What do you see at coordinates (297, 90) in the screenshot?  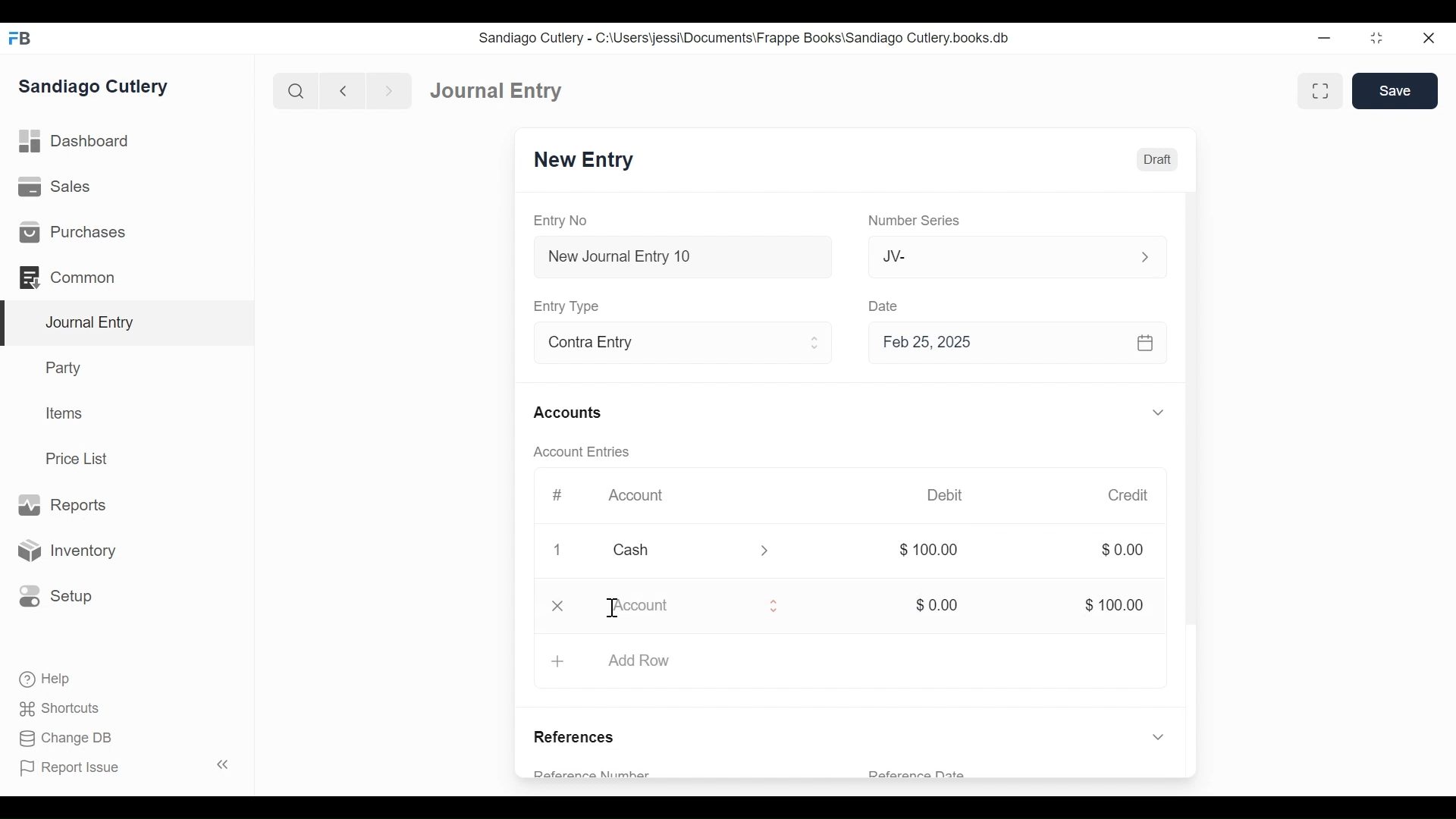 I see `Search` at bounding box center [297, 90].